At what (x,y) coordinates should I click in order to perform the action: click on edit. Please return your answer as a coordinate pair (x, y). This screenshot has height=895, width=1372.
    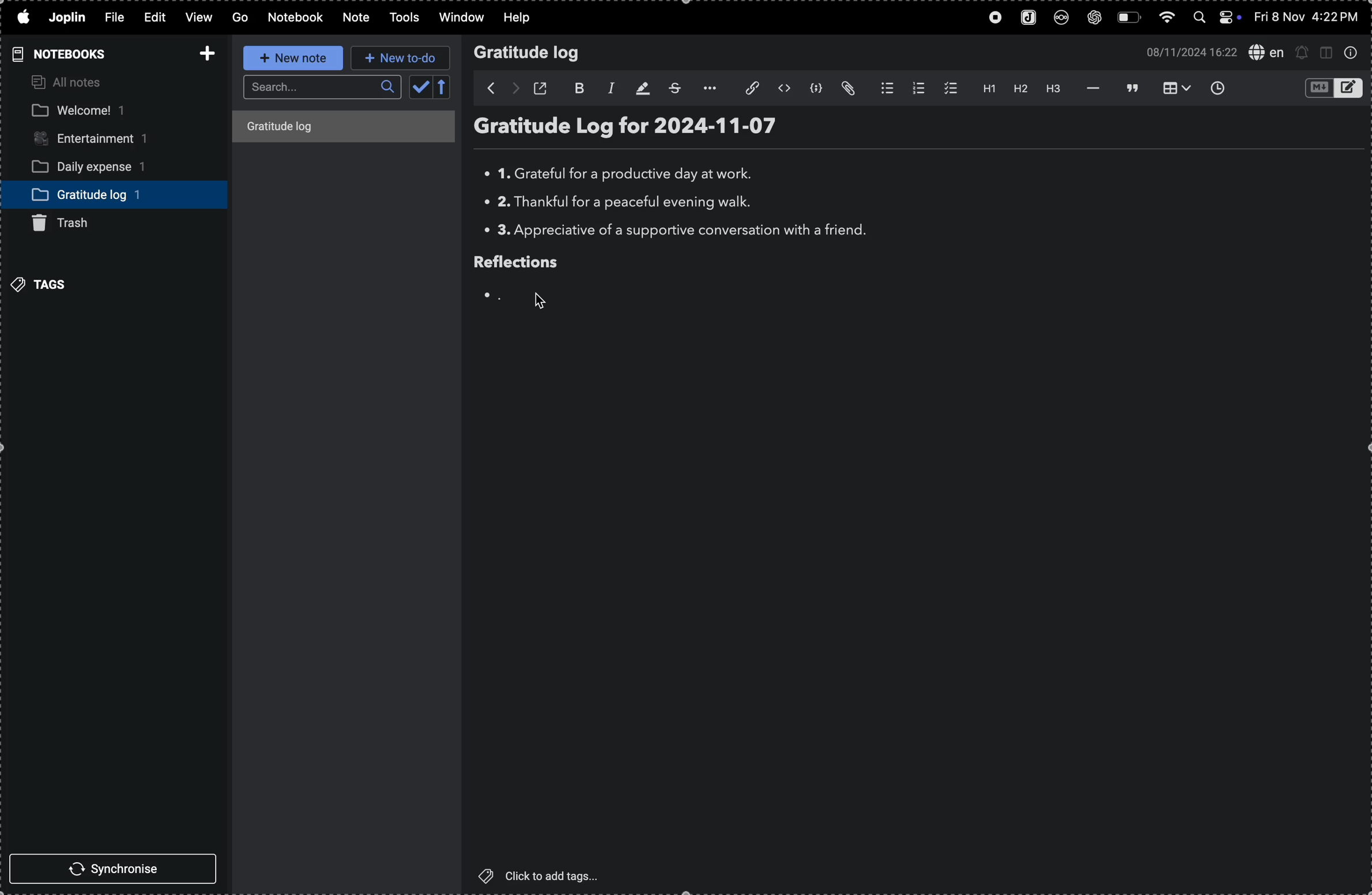
    Looking at the image, I should click on (157, 17).